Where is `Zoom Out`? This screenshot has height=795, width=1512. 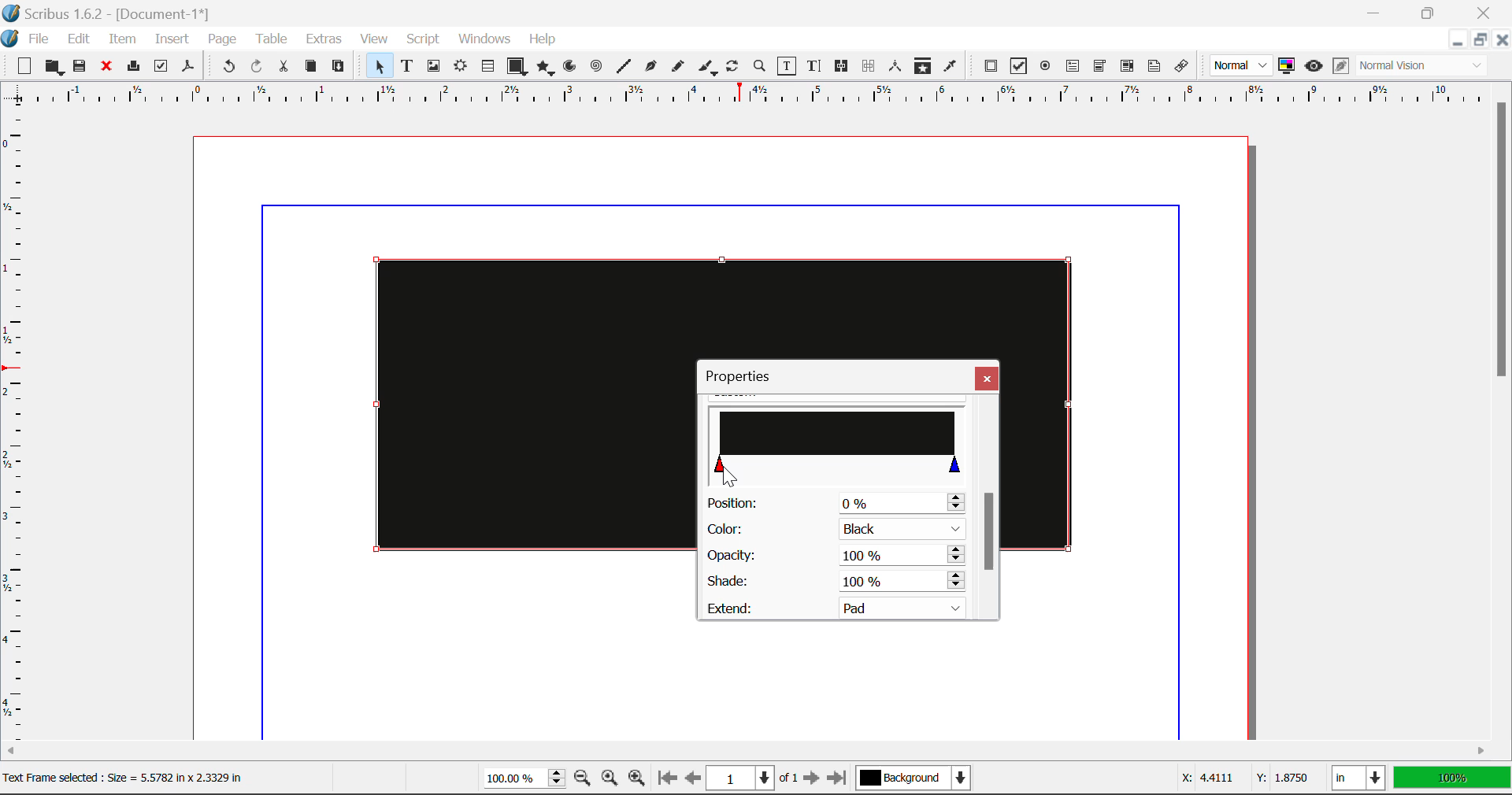
Zoom Out is located at coordinates (584, 779).